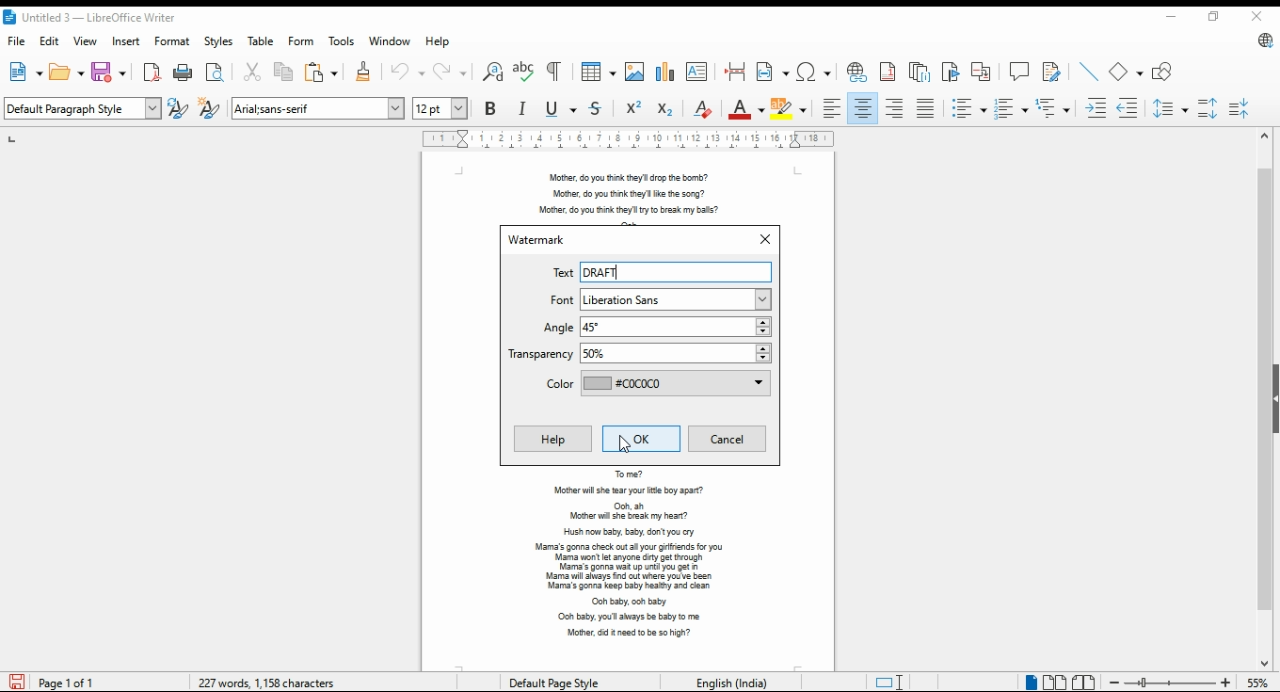  Describe the element at coordinates (24, 72) in the screenshot. I see `new` at that location.